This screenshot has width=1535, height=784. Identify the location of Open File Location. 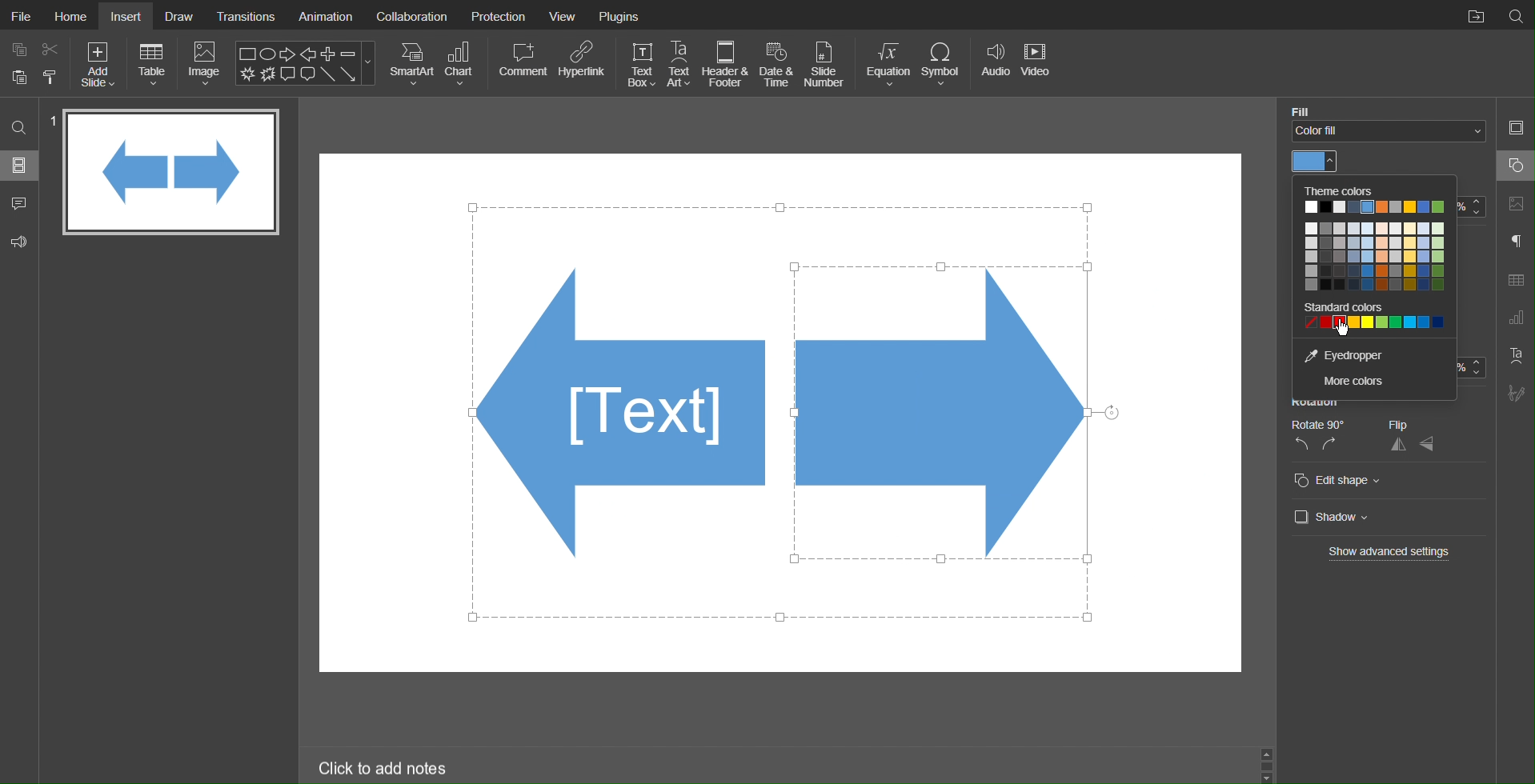
(1472, 14).